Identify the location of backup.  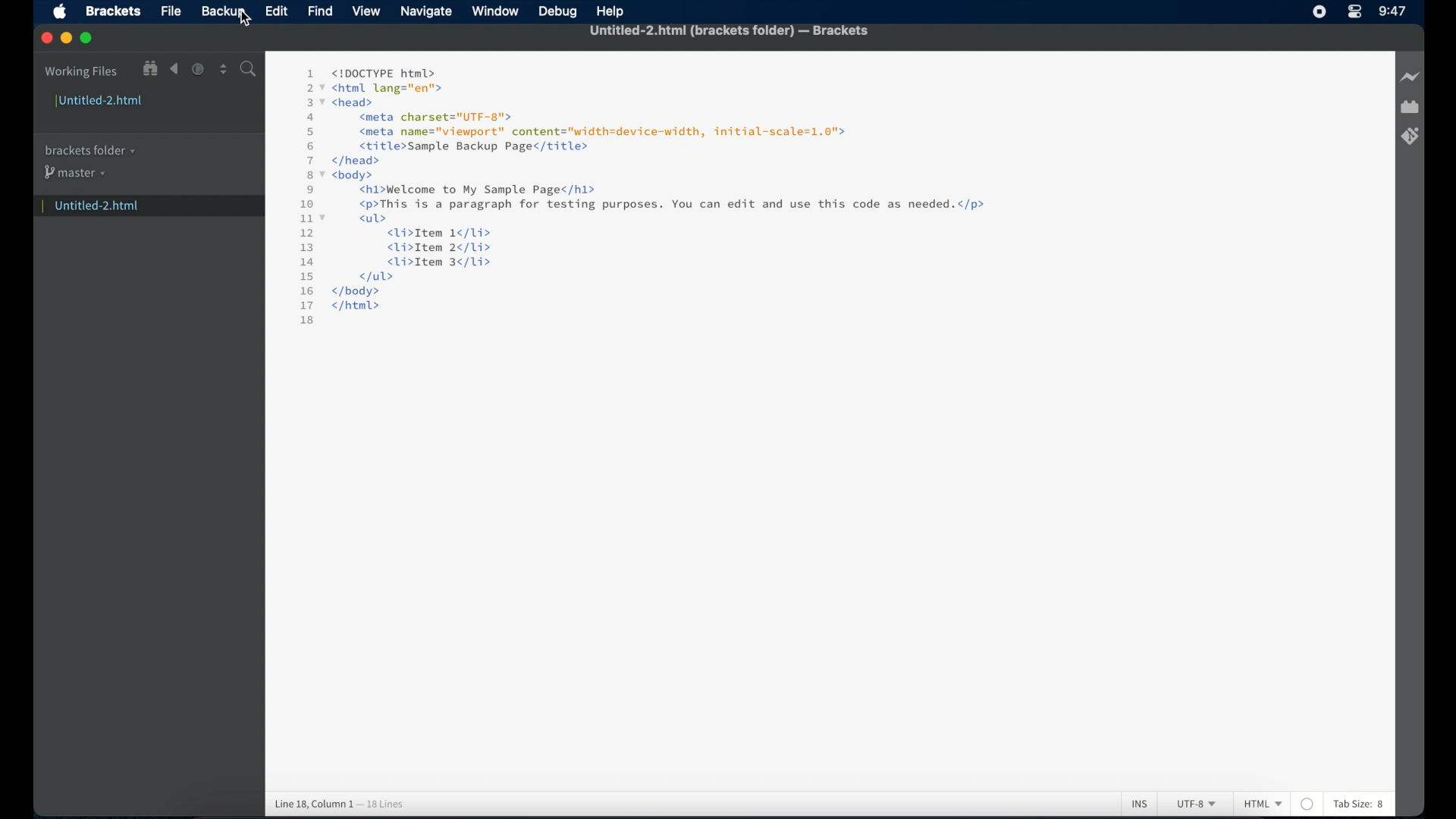
(223, 13).